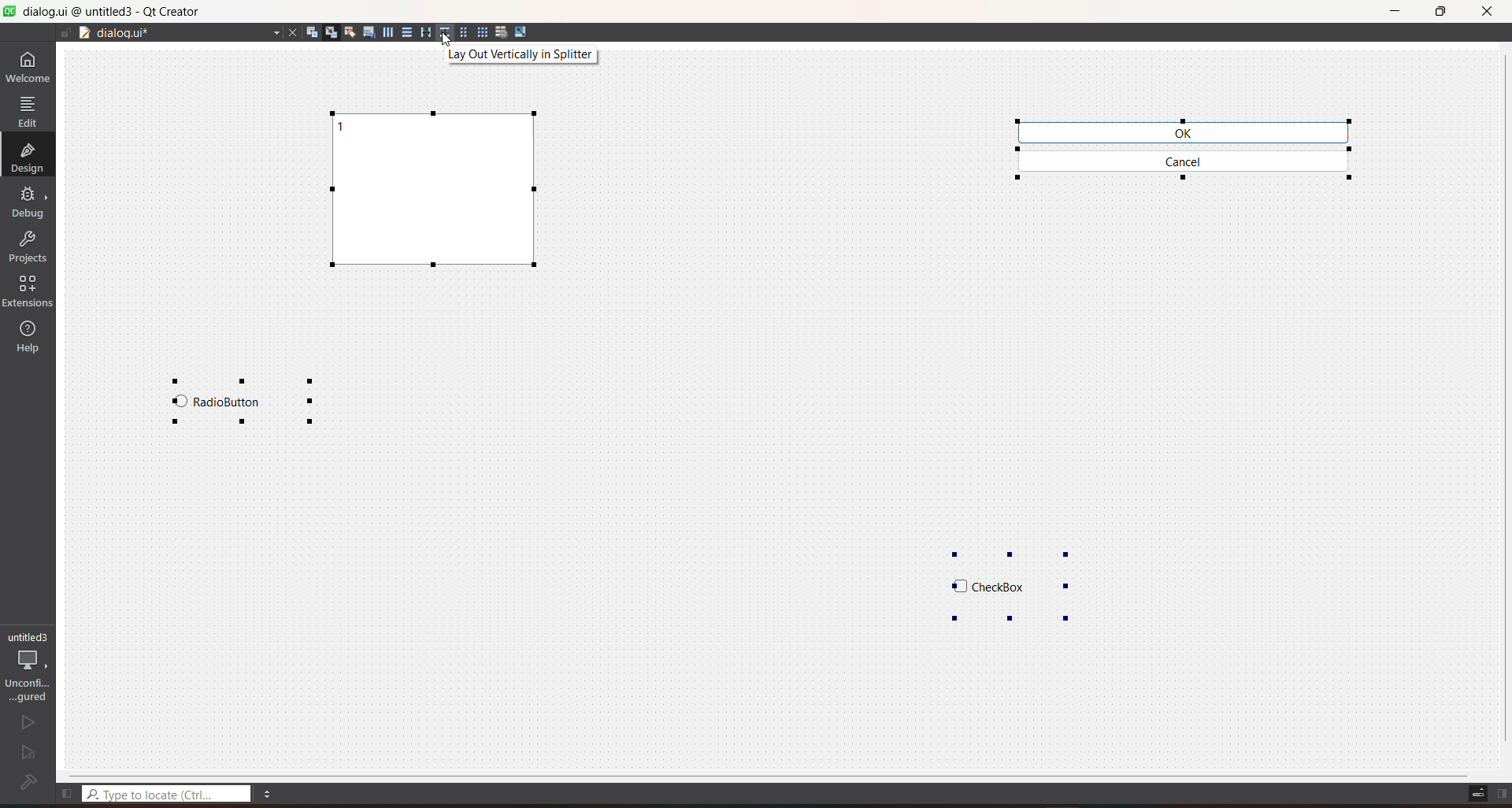 Image resolution: width=1512 pixels, height=808 pixels. Describe the element at coordinates (30, 65) in the screenshot. I see `welcome` at that location.